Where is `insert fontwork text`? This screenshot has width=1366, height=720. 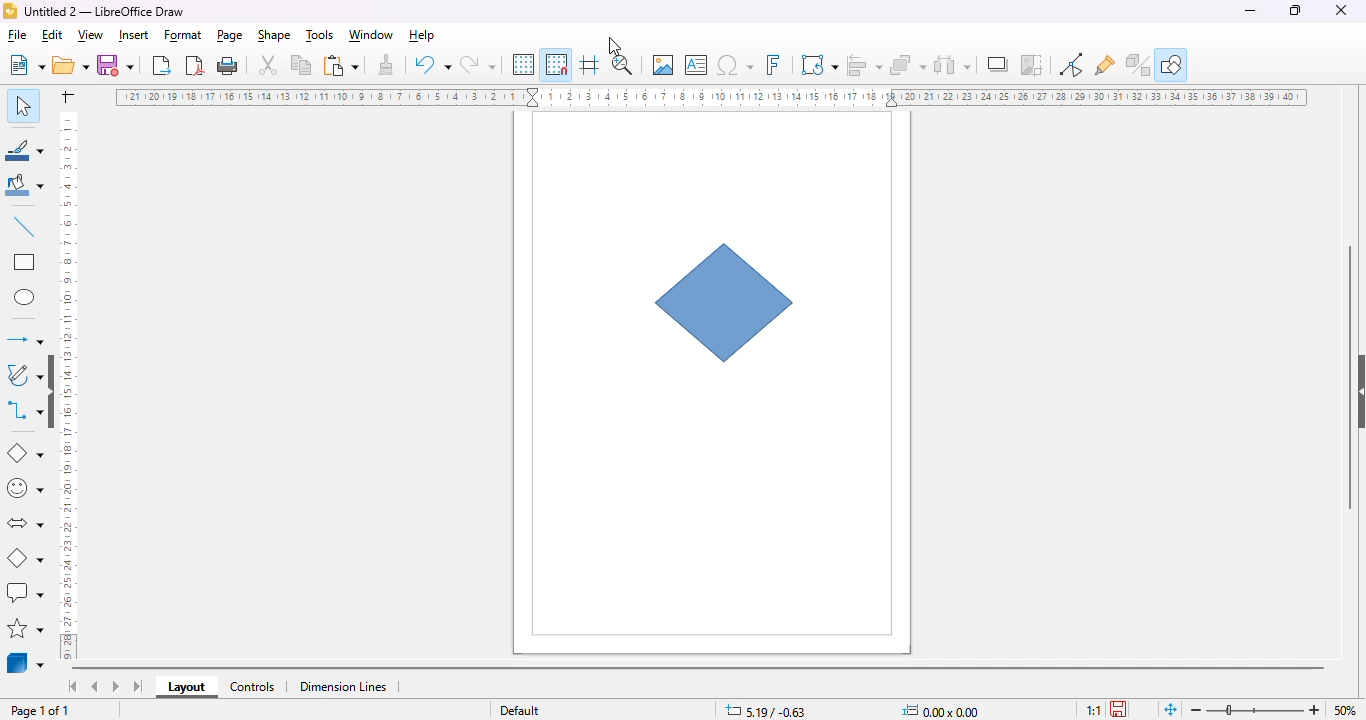 insert fontwork text is located at coordinates (774, 63).